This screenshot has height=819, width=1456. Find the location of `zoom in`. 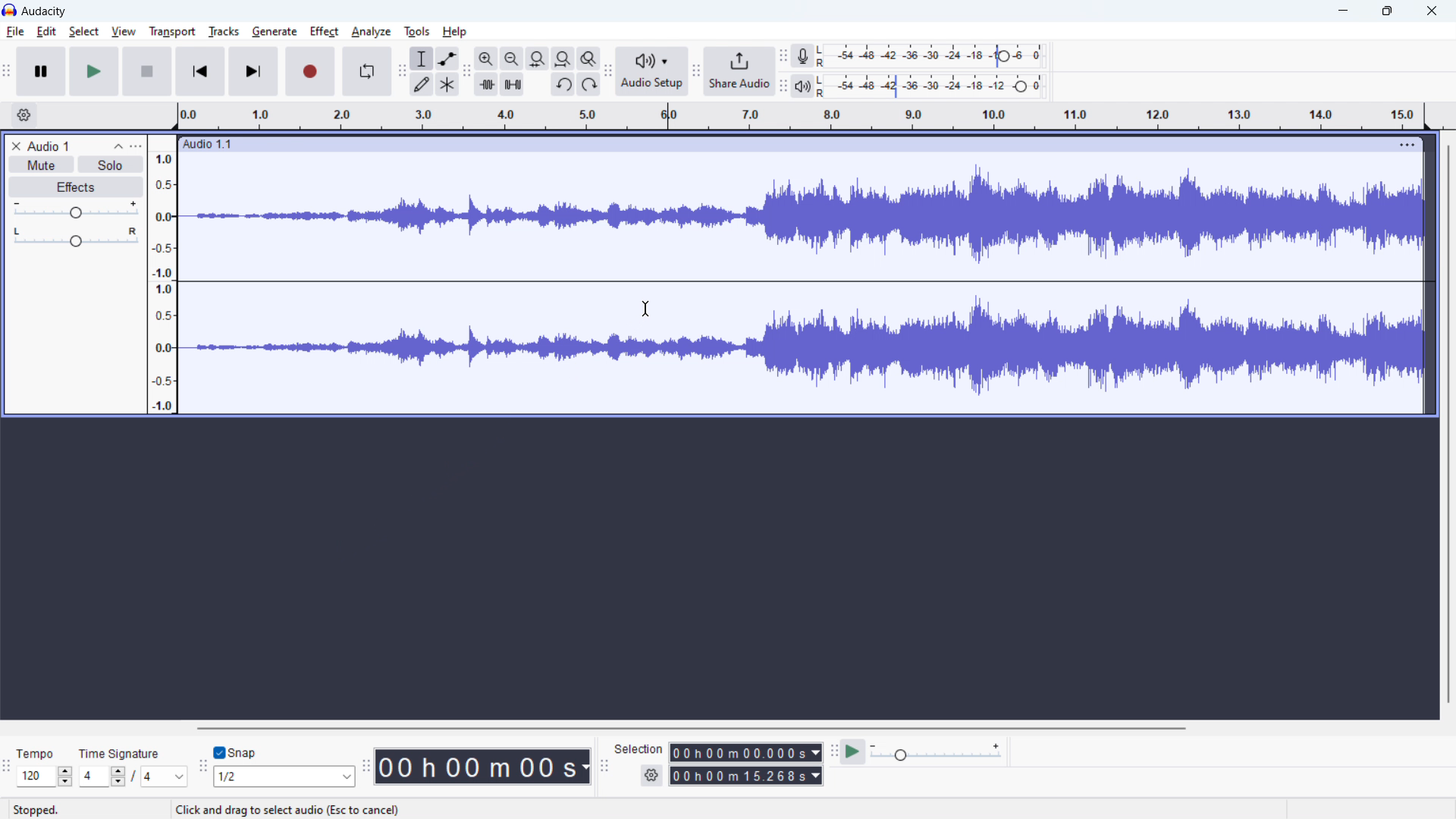

zoom in is located at coordinates (486, 58).